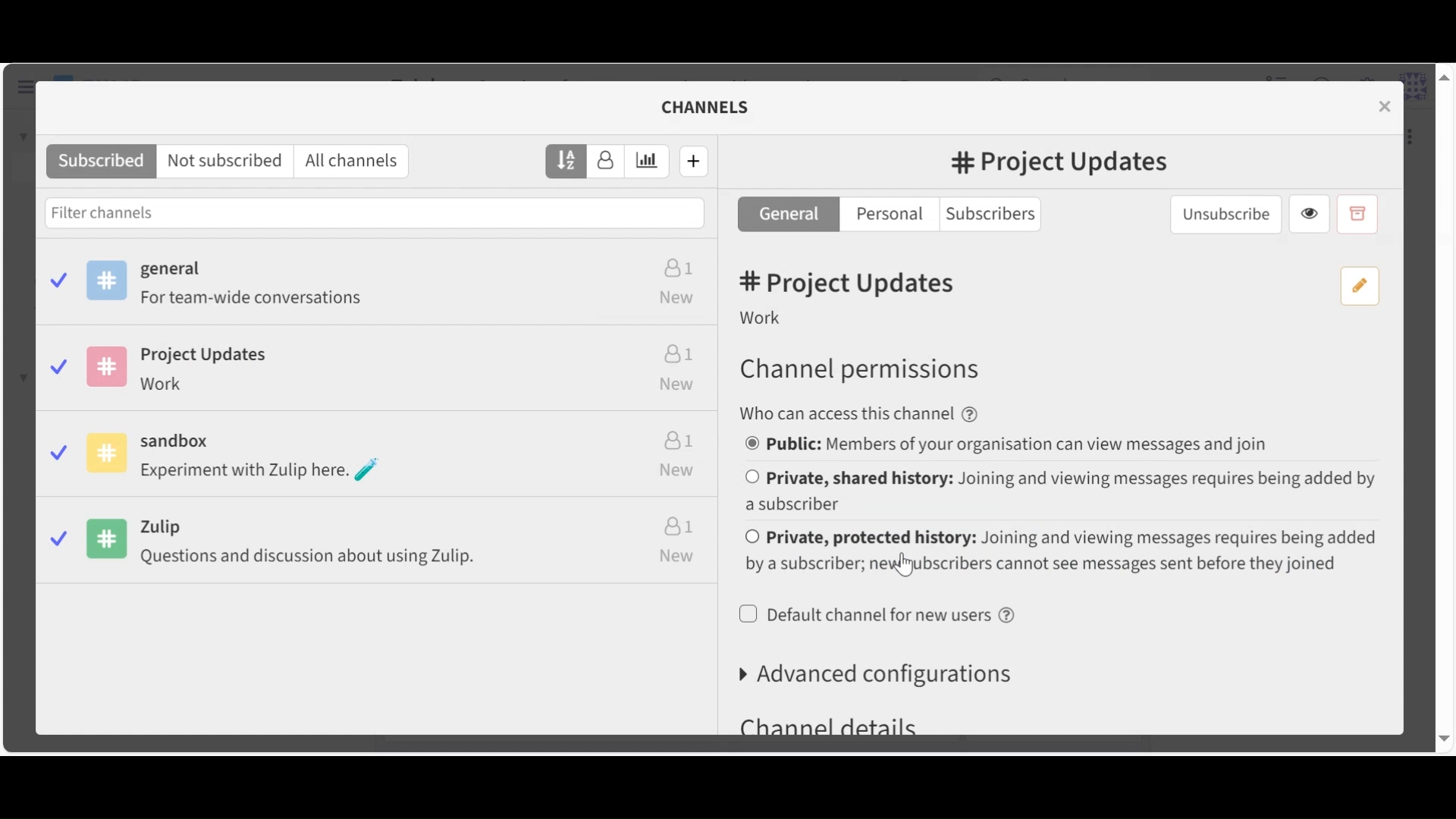 This screenshot has width=1456, height=819. What do you see at coordinates (654, 161) in the screenshot?
I see `Sort by weekly estimated traffic` at bounding box center [654, 161].